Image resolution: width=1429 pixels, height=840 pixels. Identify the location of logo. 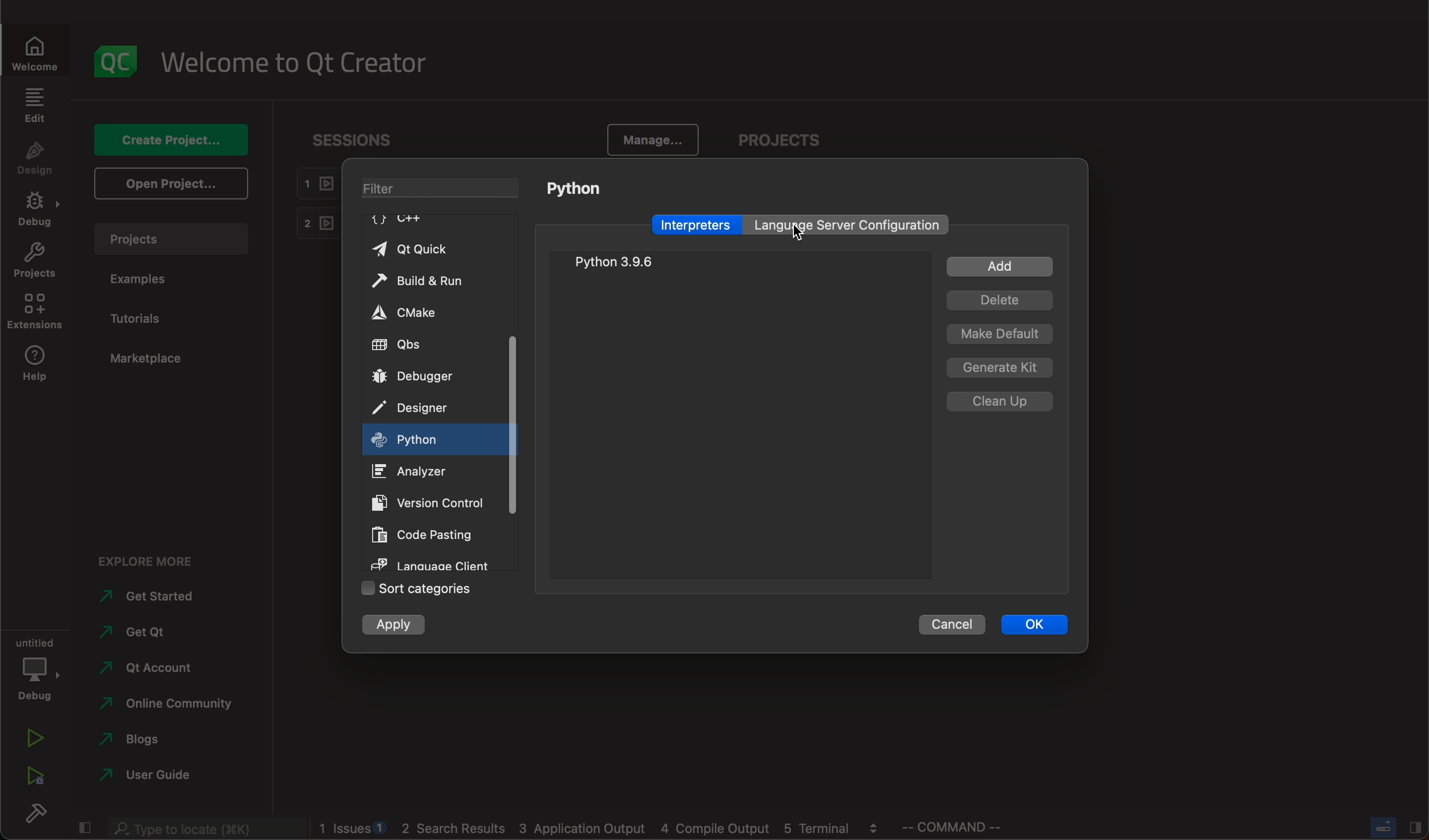
(111, 62).